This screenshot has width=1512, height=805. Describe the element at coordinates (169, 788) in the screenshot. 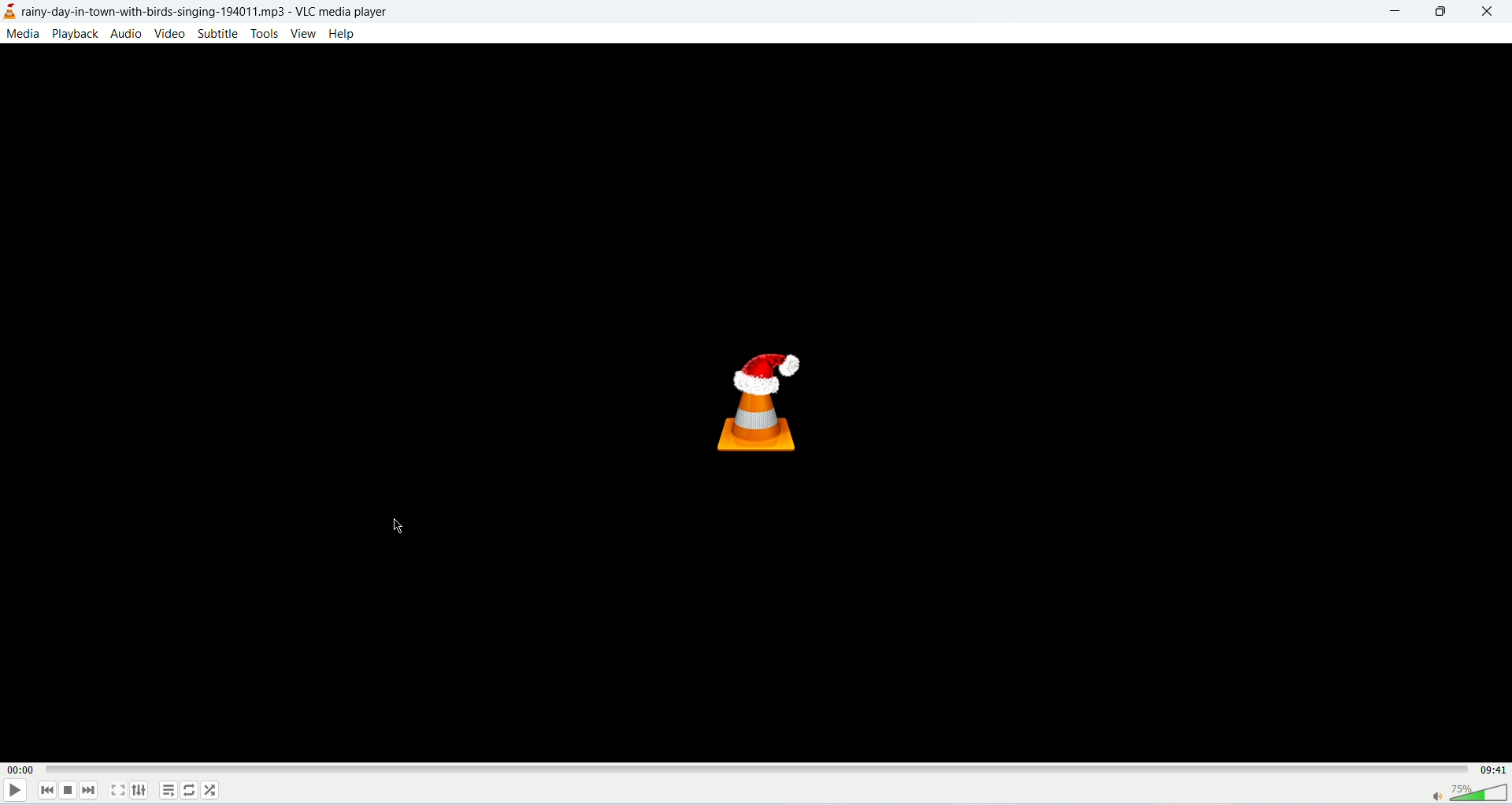

I see `playlist` at that location.